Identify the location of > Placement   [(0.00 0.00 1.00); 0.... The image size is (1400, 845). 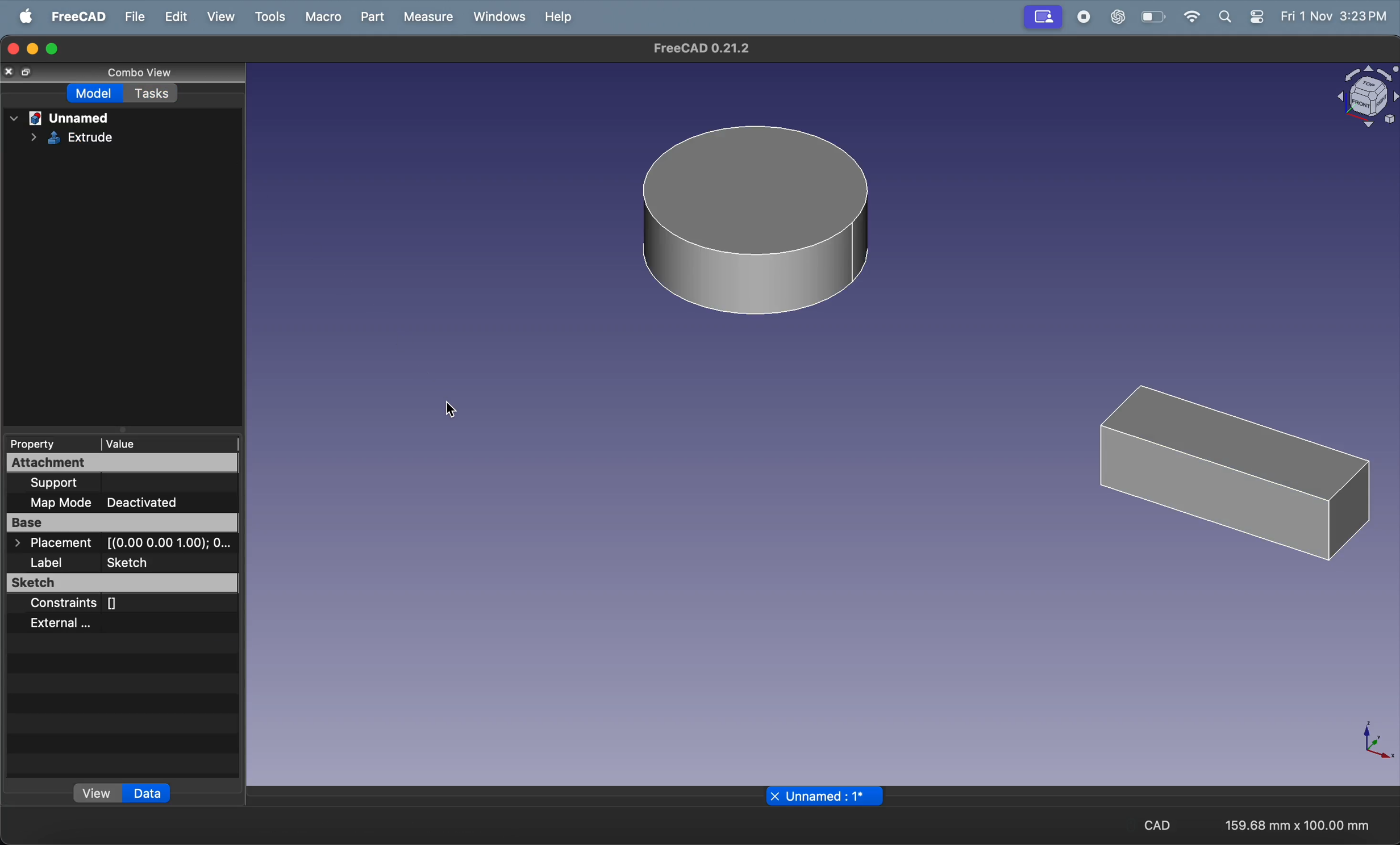
(123, 543).